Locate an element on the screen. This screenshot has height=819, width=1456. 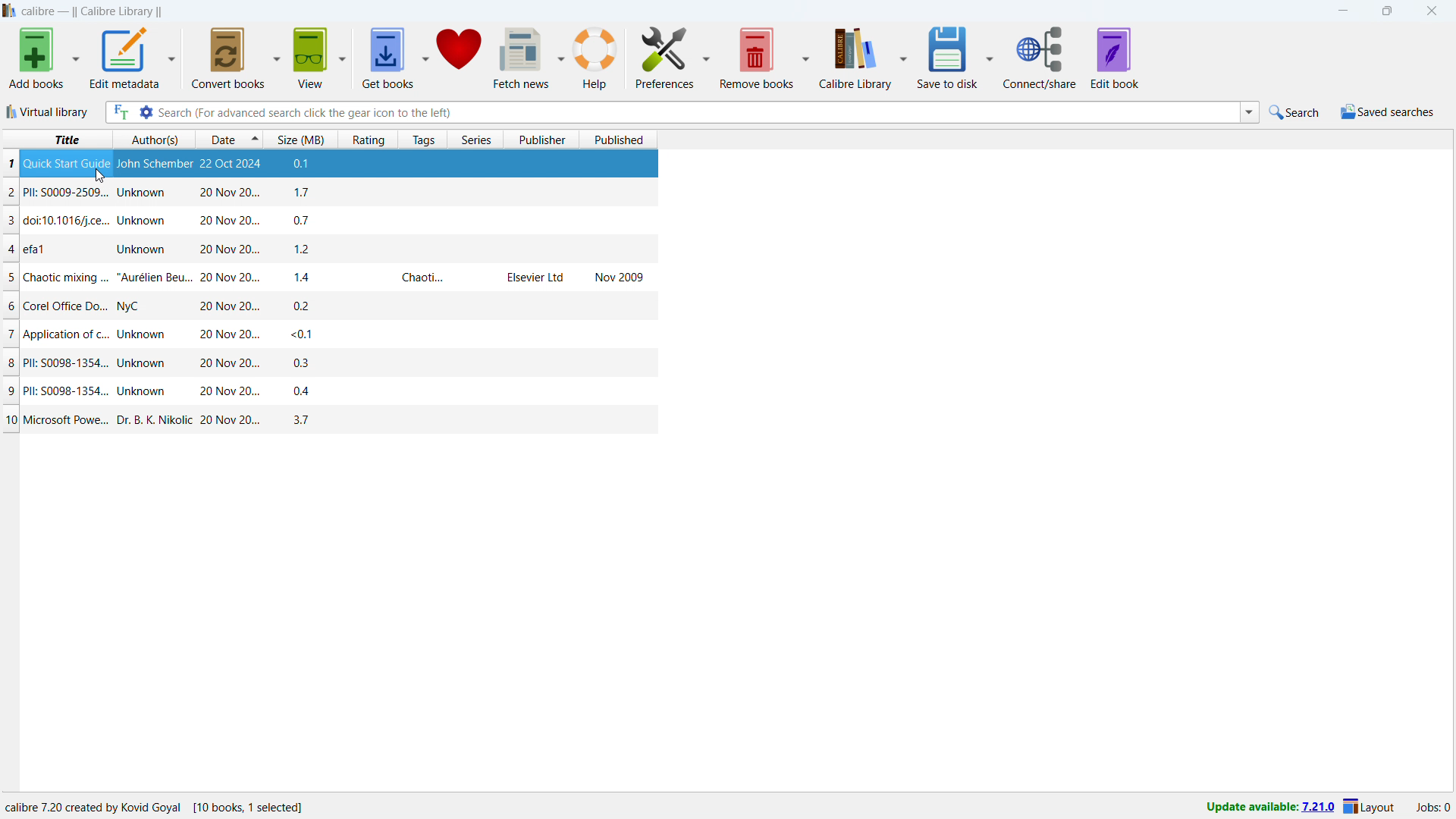
convert books options is located at coordinates (276, 57).